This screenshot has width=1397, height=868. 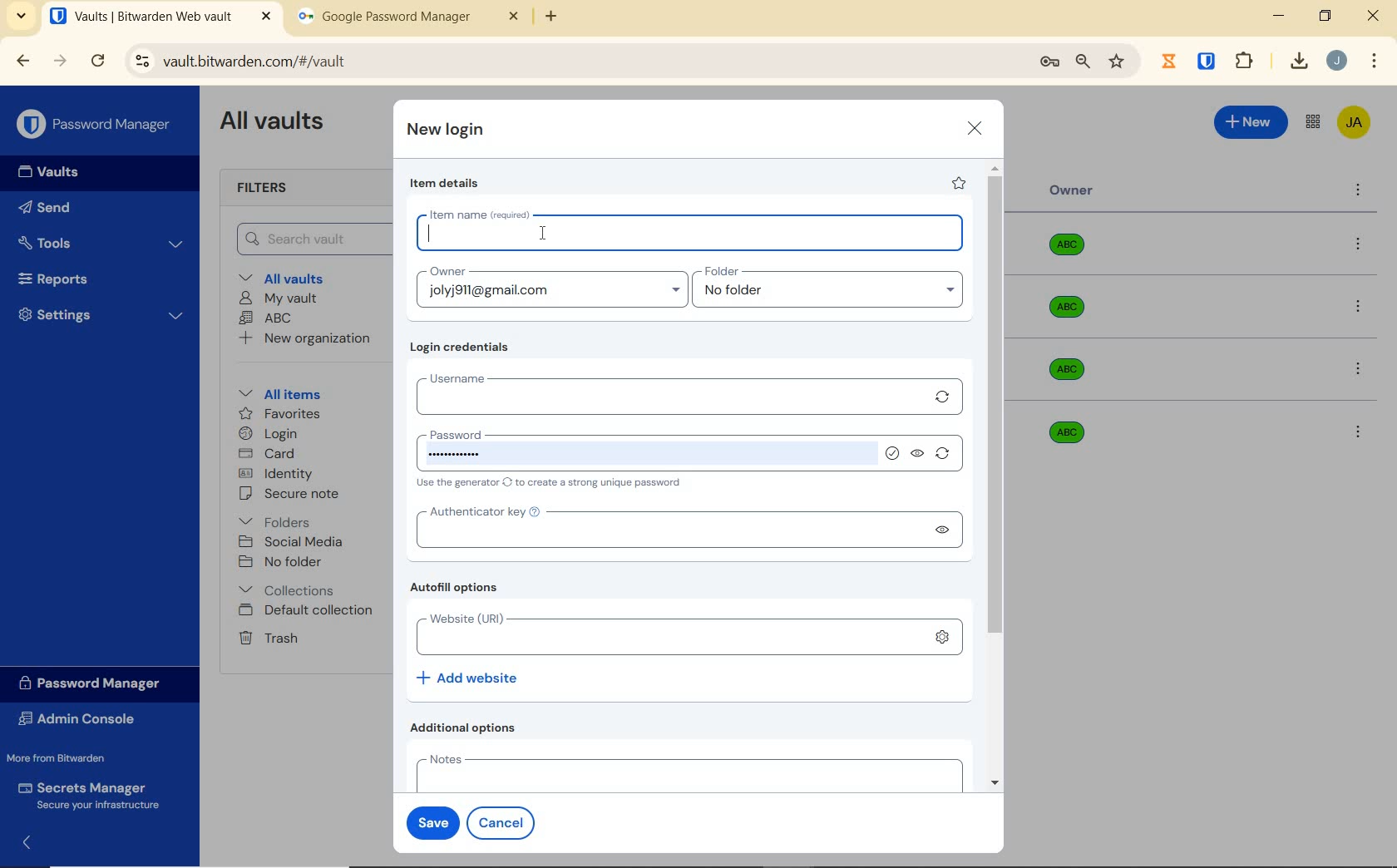 I want to click on Admin Console, so click(x=81, y=721).